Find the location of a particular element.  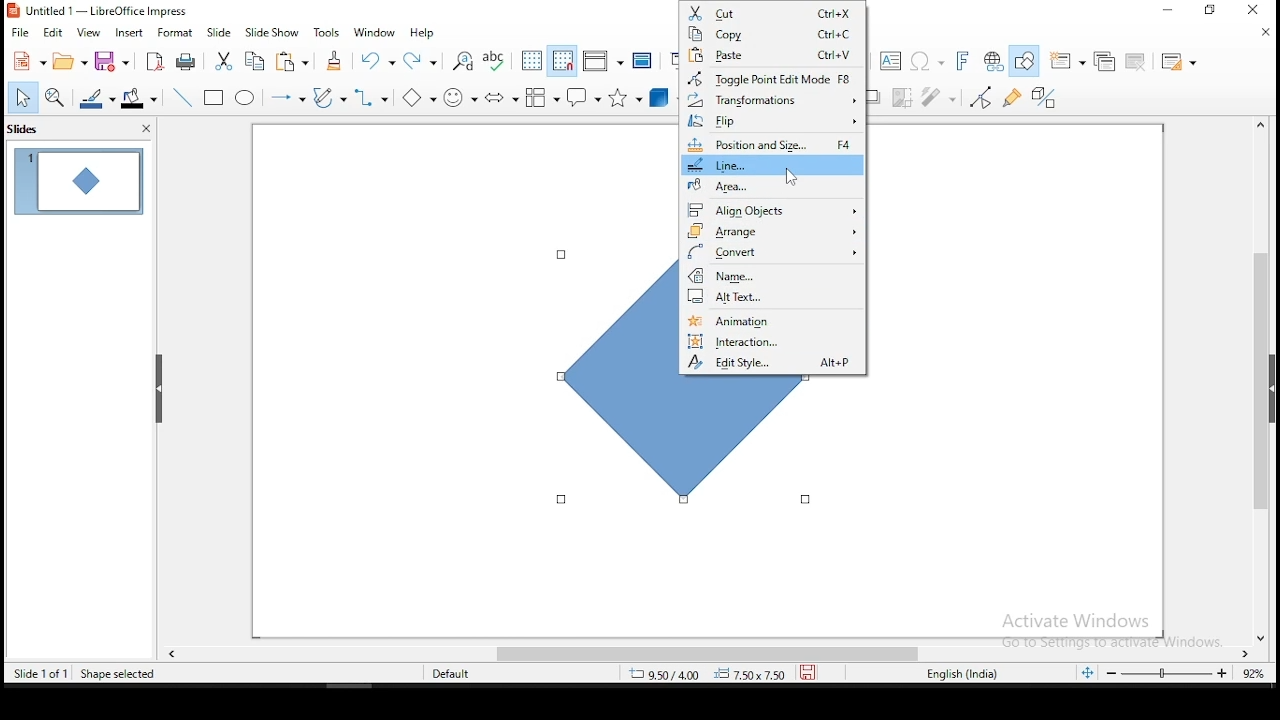

fill color is located at coordinates (139, 99).